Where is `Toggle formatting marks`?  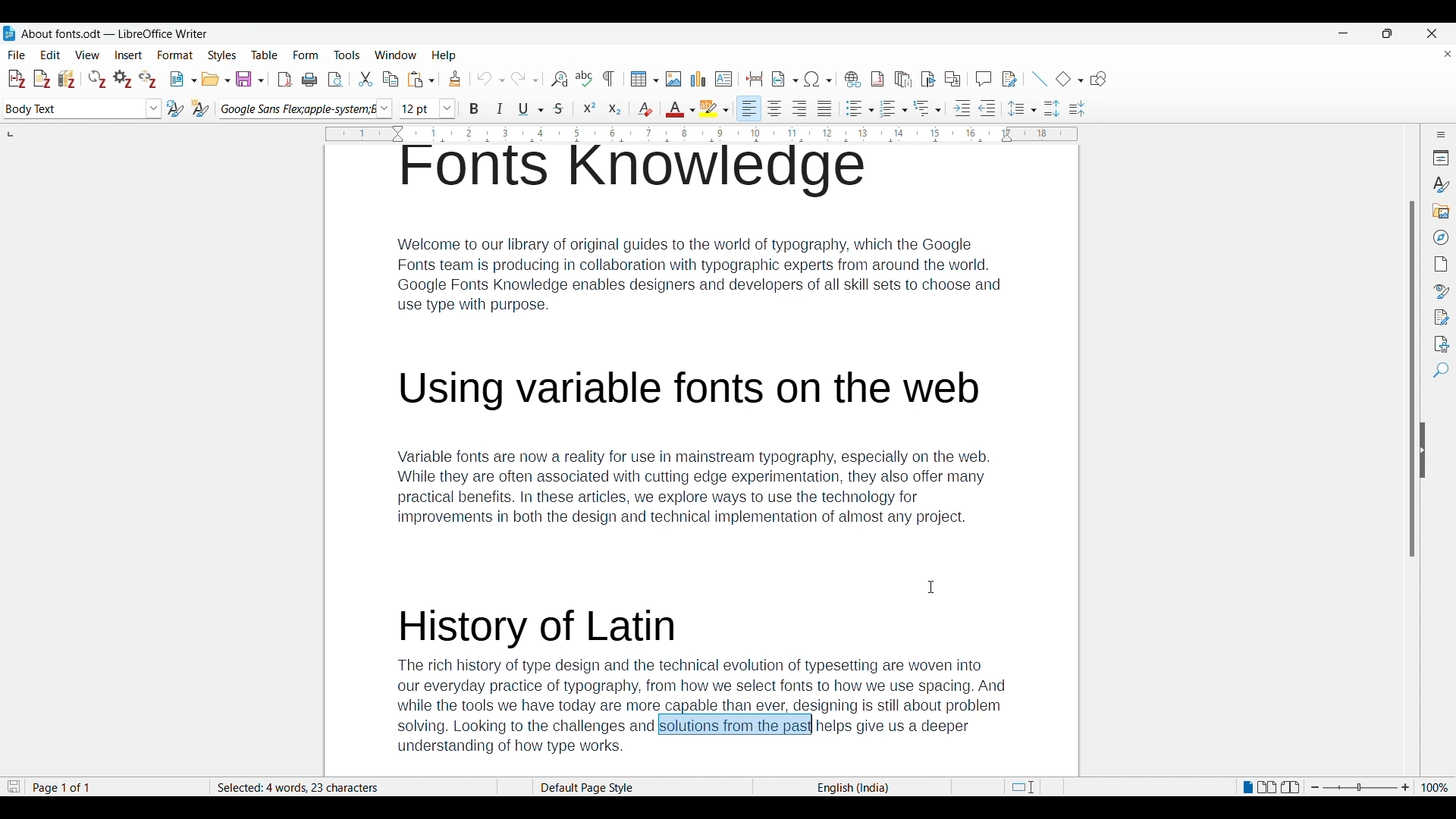
Toggle formatting marks is located at coordinates (610, 79).